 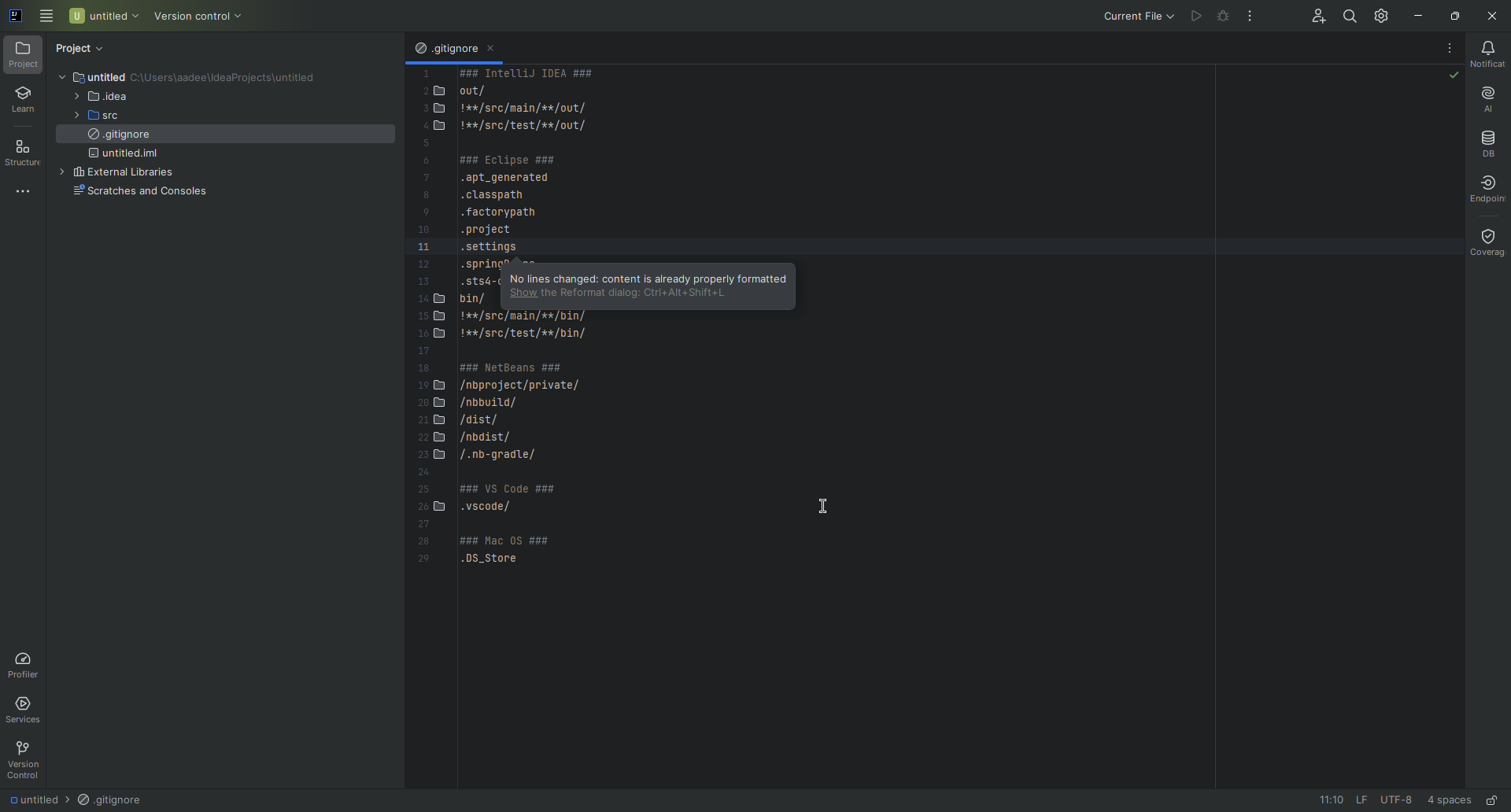 I want to click on Code With Me, so click(x=1308, y=15).